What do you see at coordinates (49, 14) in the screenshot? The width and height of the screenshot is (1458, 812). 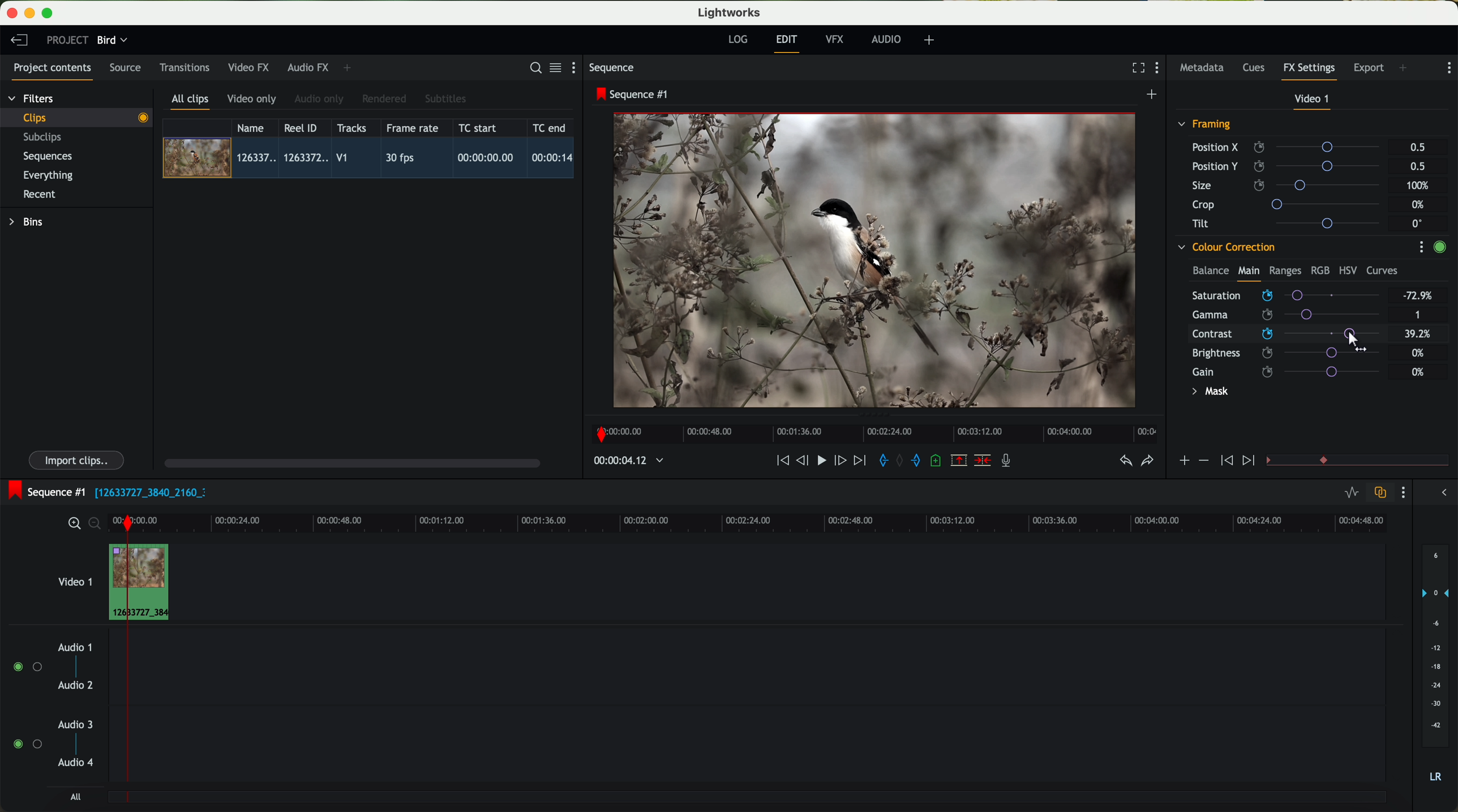 I see `maximize program` at bounding box center [49, 14].